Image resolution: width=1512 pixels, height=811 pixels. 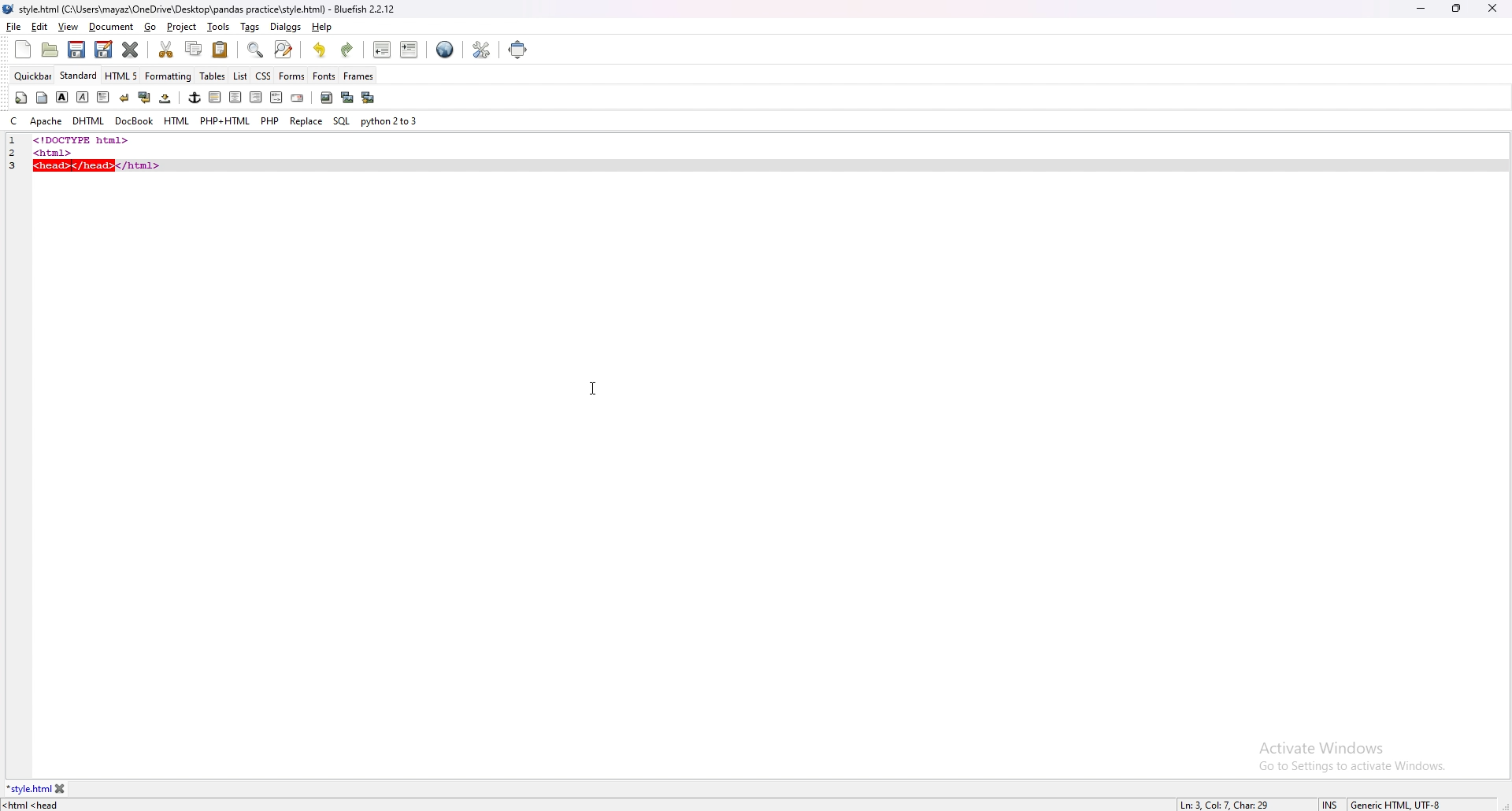 What do you see at coordinates (13, 121) in the screenshot?
I see `c` at bounding box center [13, 121].